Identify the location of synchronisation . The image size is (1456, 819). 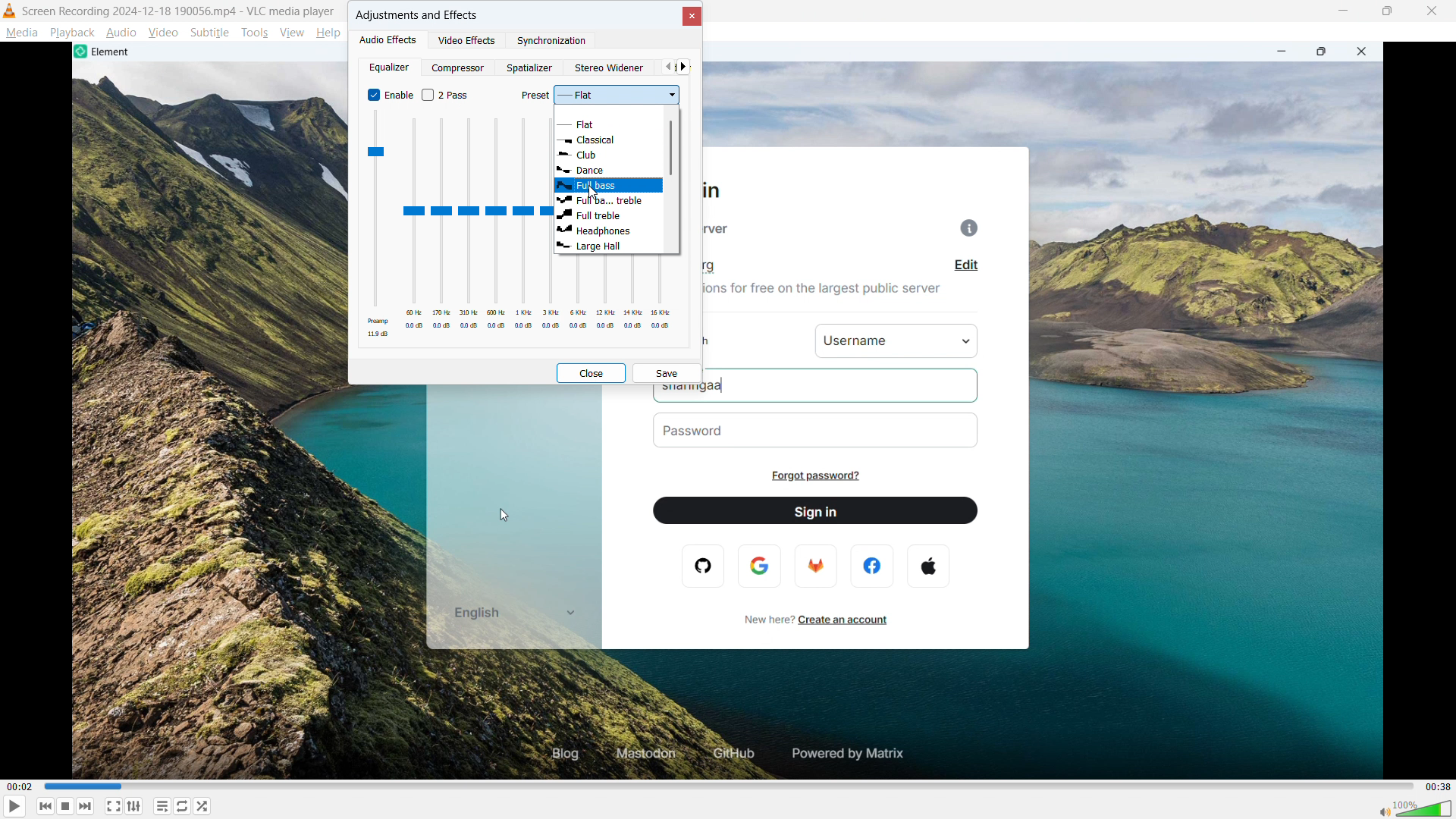
(552, 41).